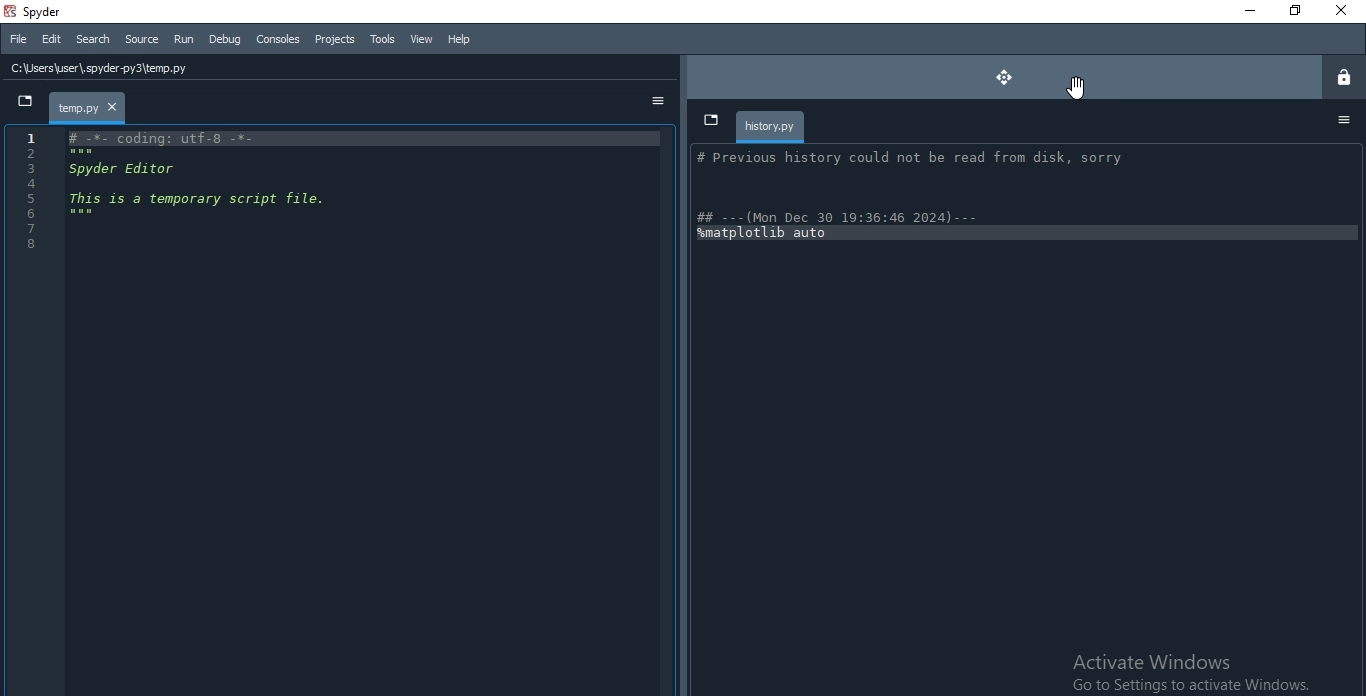 The height and width of the screenshot is (696, 1366). I want to click on Consoles, so click(279, 39).